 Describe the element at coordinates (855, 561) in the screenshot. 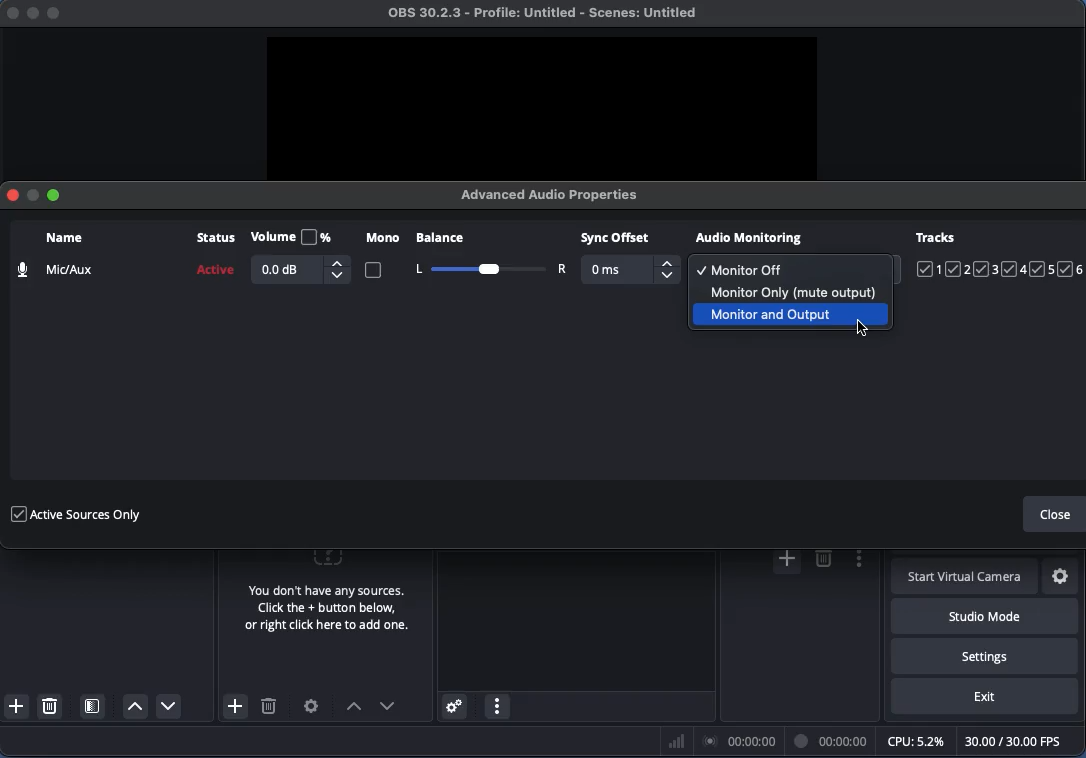

I see `options` at that location.